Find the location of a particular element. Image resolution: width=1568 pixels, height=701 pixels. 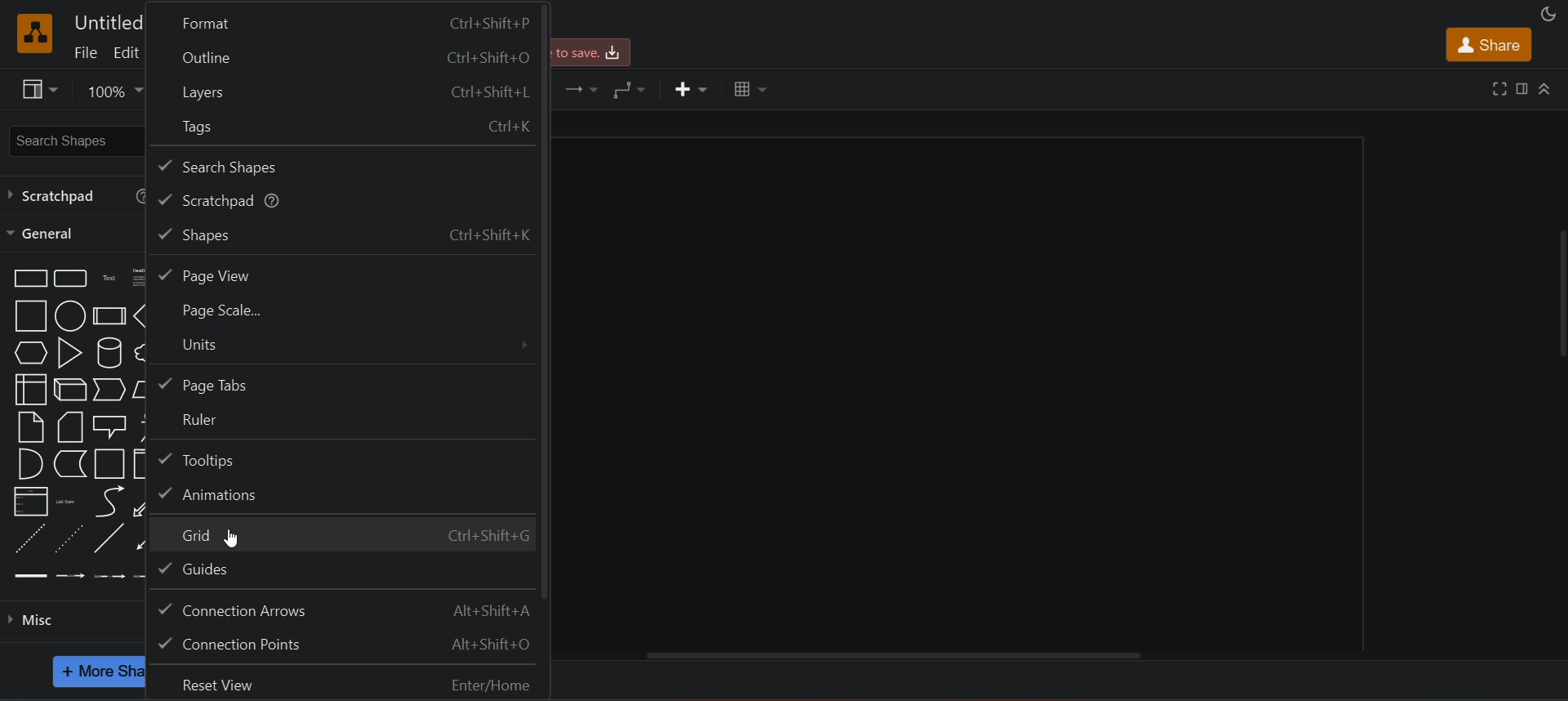

connector with 2 labels is located at coordinates (109, 575).